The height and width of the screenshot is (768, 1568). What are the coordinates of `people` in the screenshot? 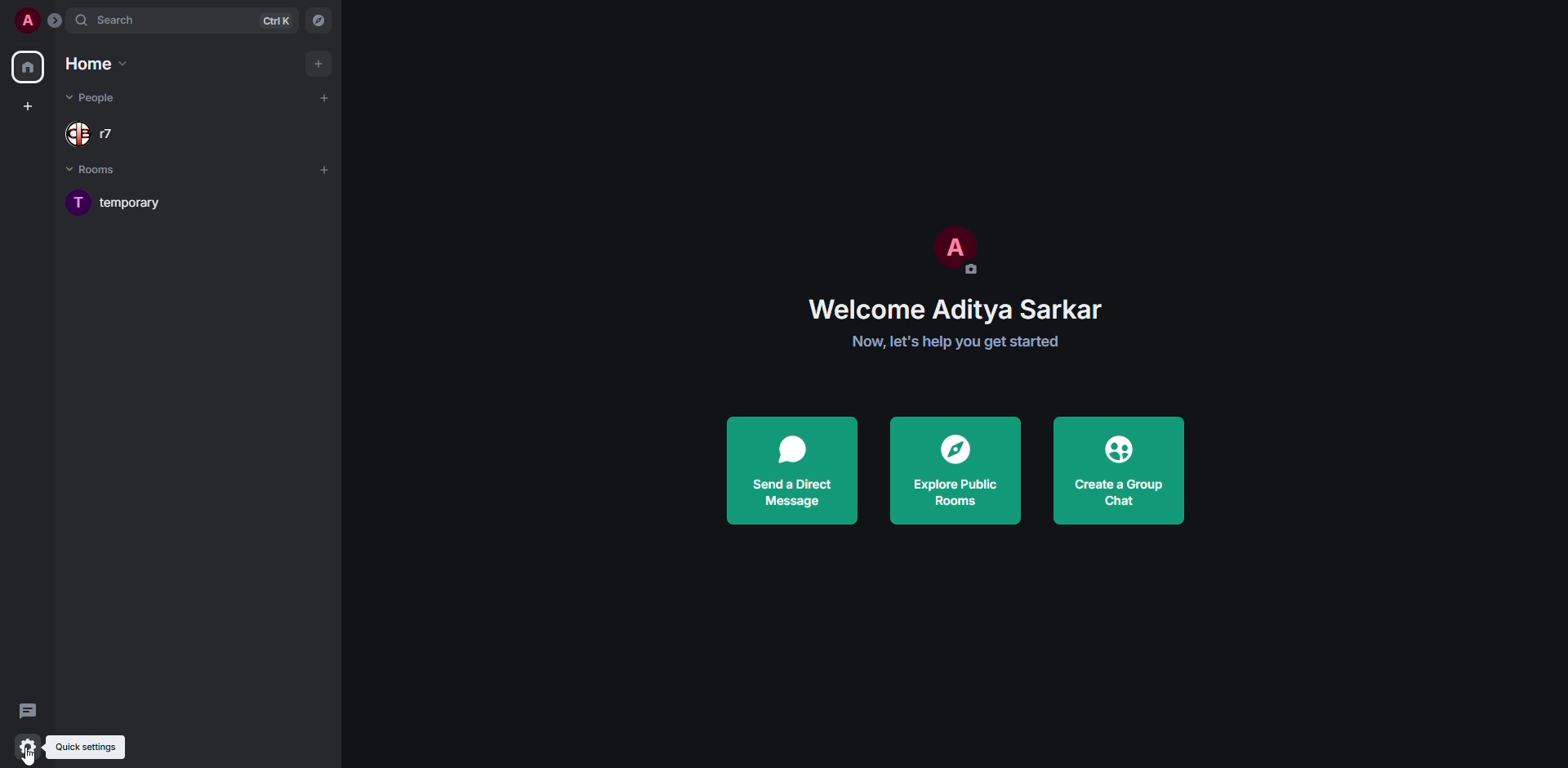 It's located at (98, 134).